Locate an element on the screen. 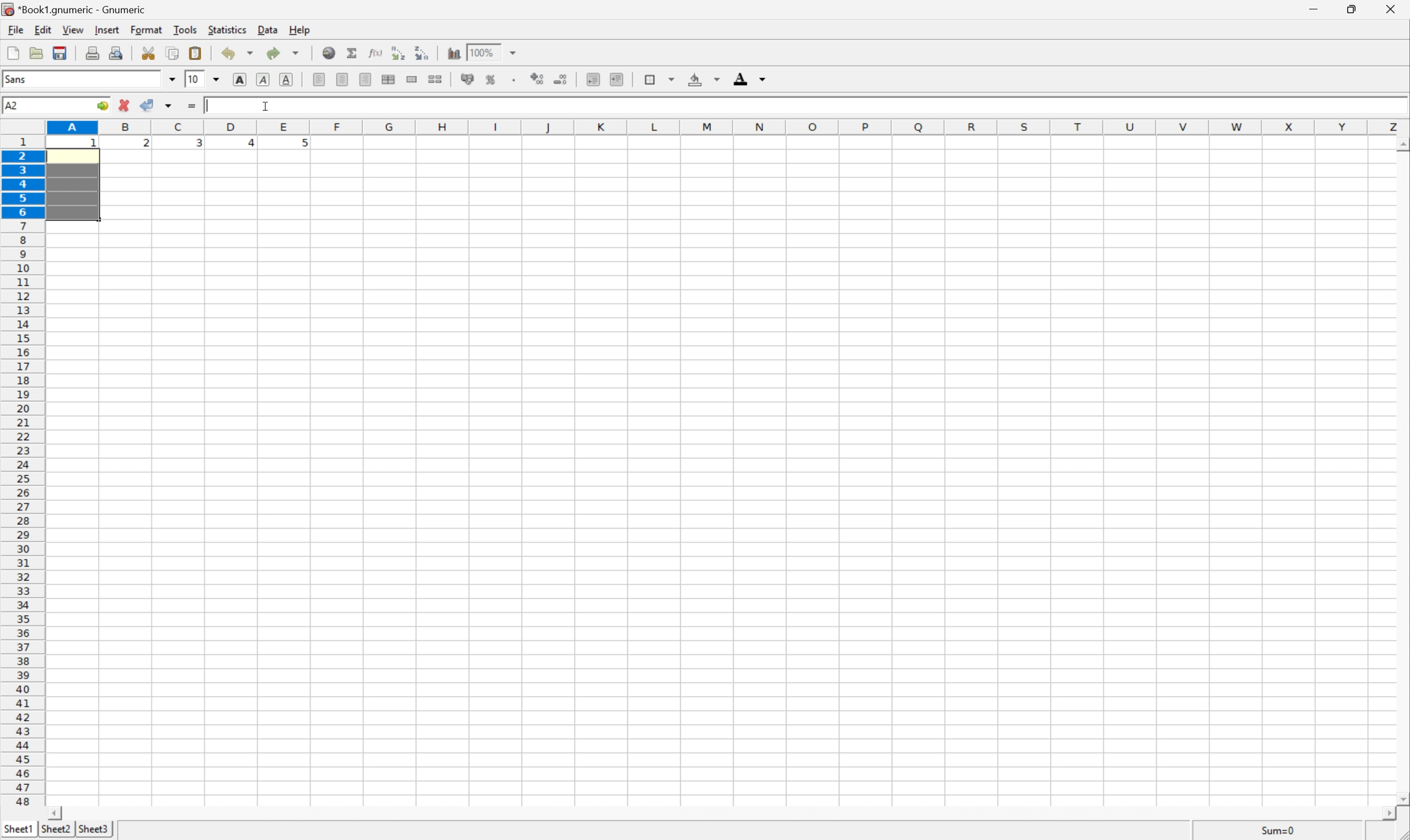 The width and height of the screenshot is (1410, 840). sheet3 is located at coordinates (93, 832).